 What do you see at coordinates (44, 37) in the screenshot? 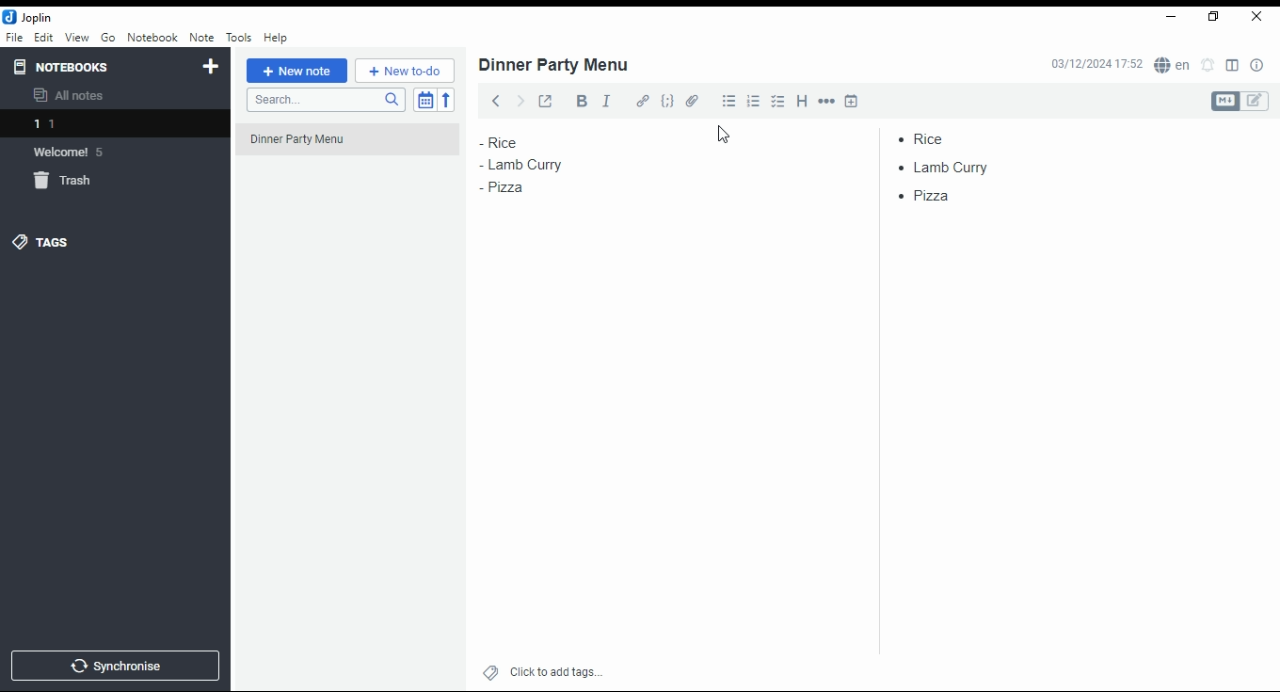
I see `edit` at bounding box center [44, 37].